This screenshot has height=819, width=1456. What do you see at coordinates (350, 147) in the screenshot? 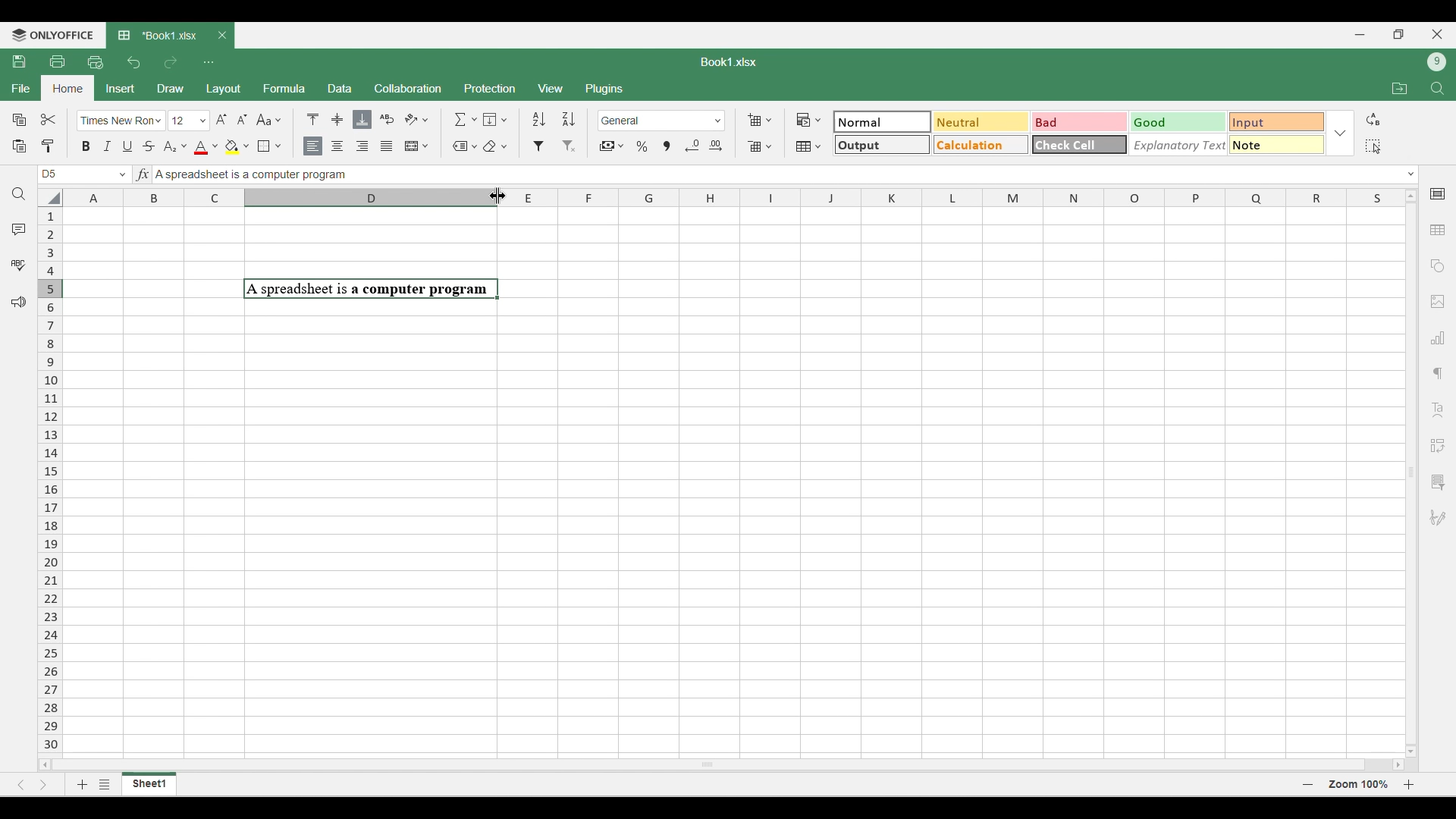
I see `Alignment options` at bounding box center [350, 147].